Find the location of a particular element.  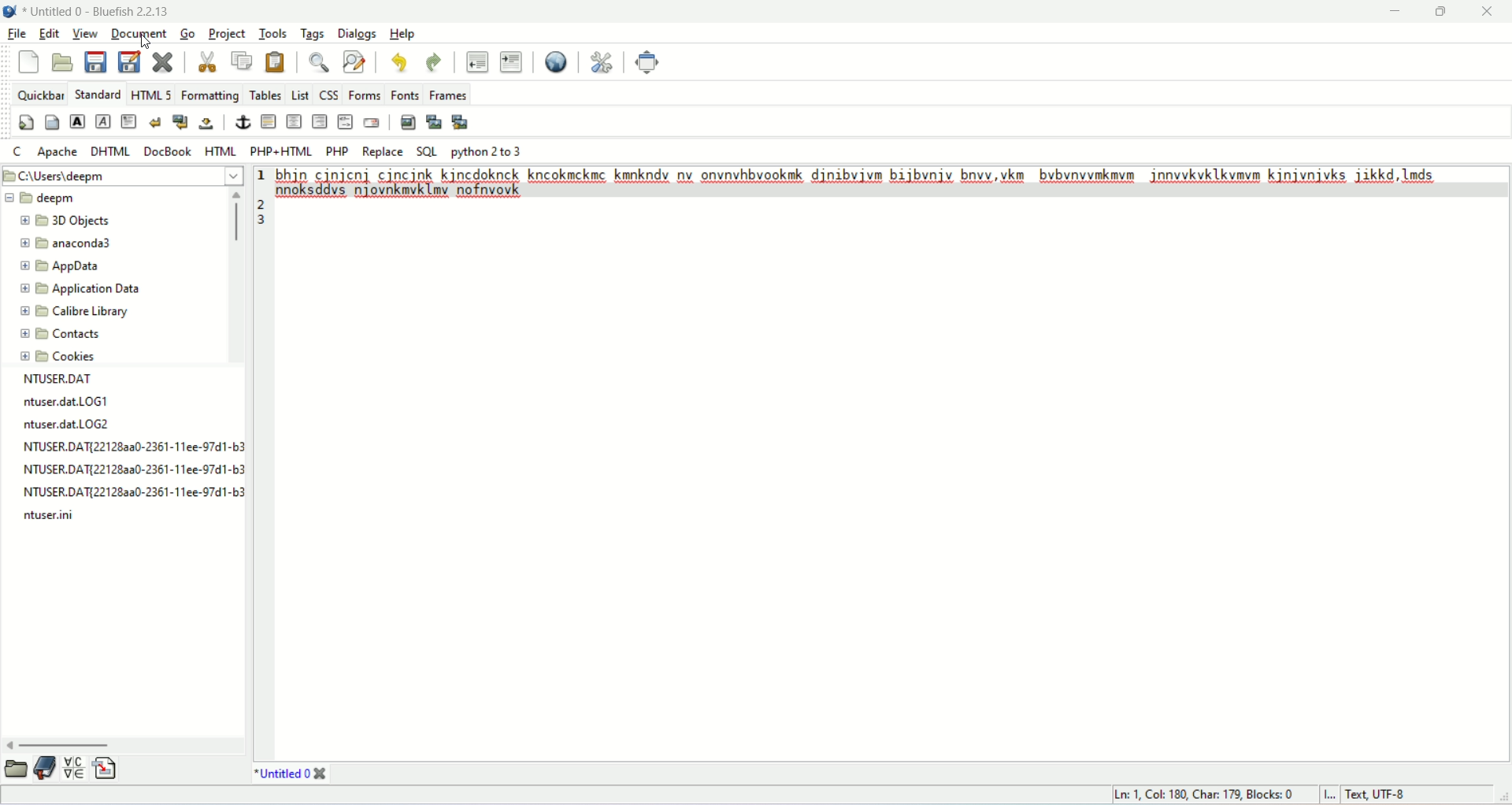

application is located at coordinates (85, 287).